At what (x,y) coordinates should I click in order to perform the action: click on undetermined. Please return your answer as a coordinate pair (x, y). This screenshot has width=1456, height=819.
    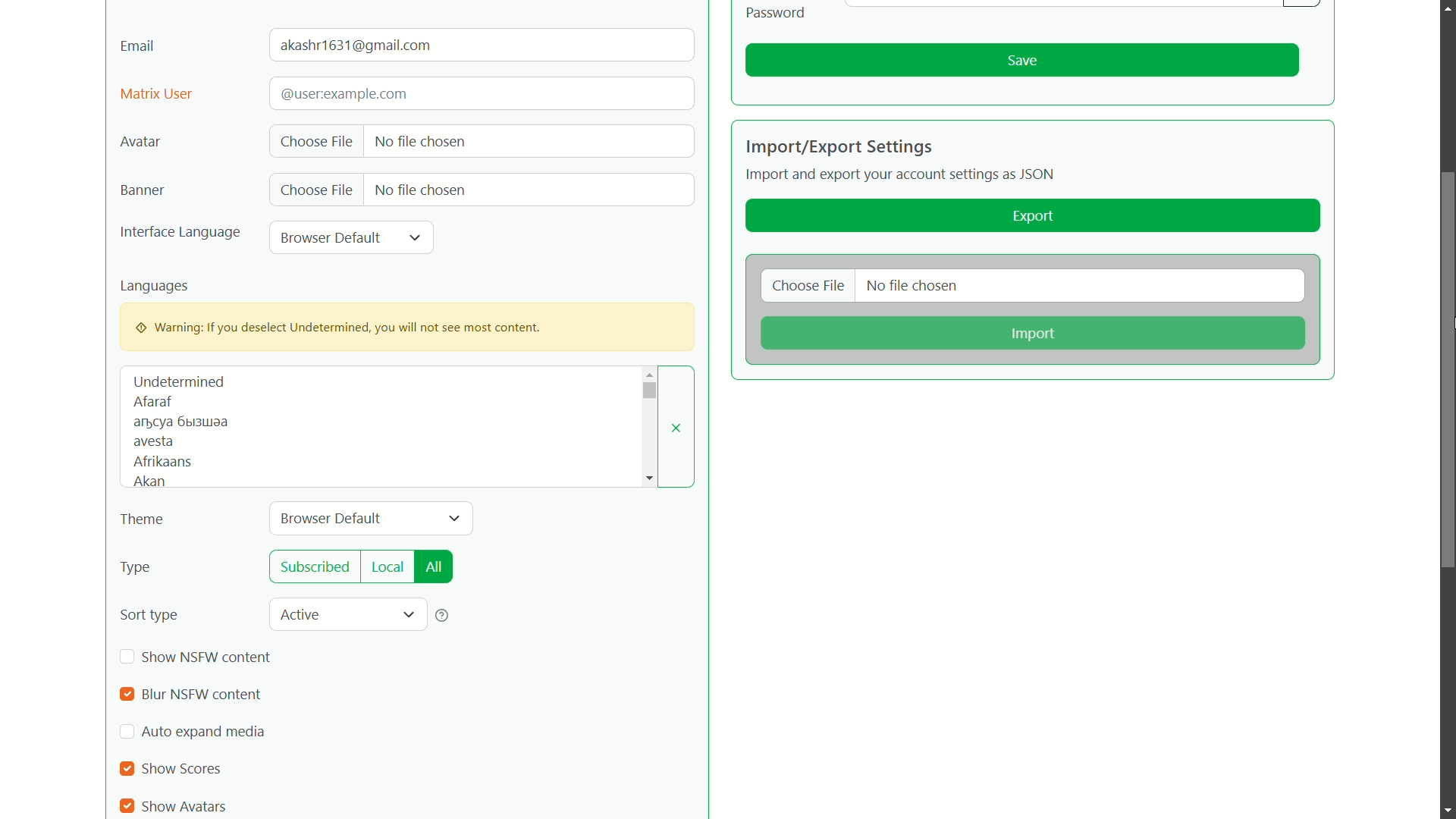
    Looking at the image, I should click on (179, 381).